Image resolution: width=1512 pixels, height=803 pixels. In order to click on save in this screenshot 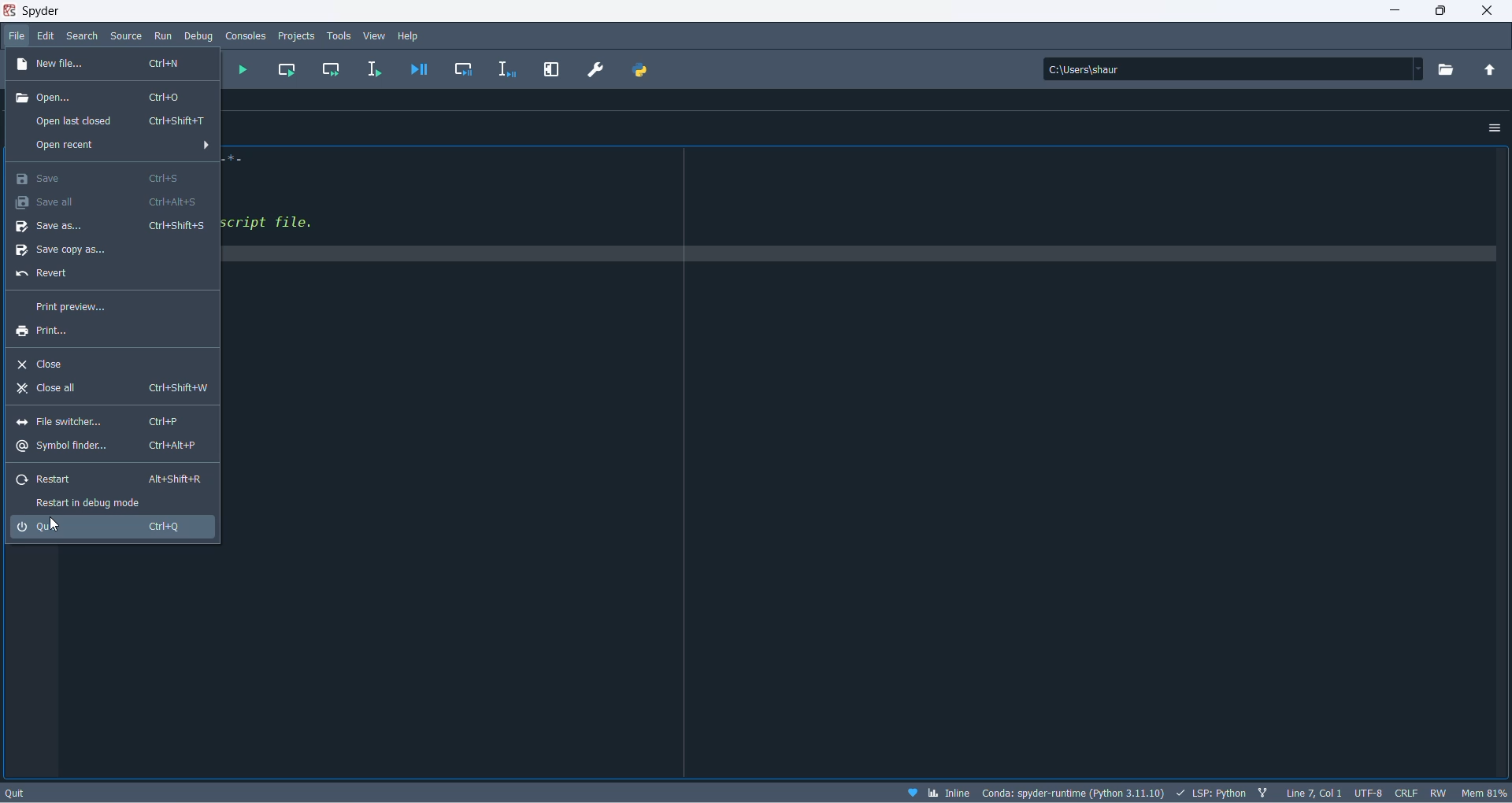, I will do `click(108, 178)`.